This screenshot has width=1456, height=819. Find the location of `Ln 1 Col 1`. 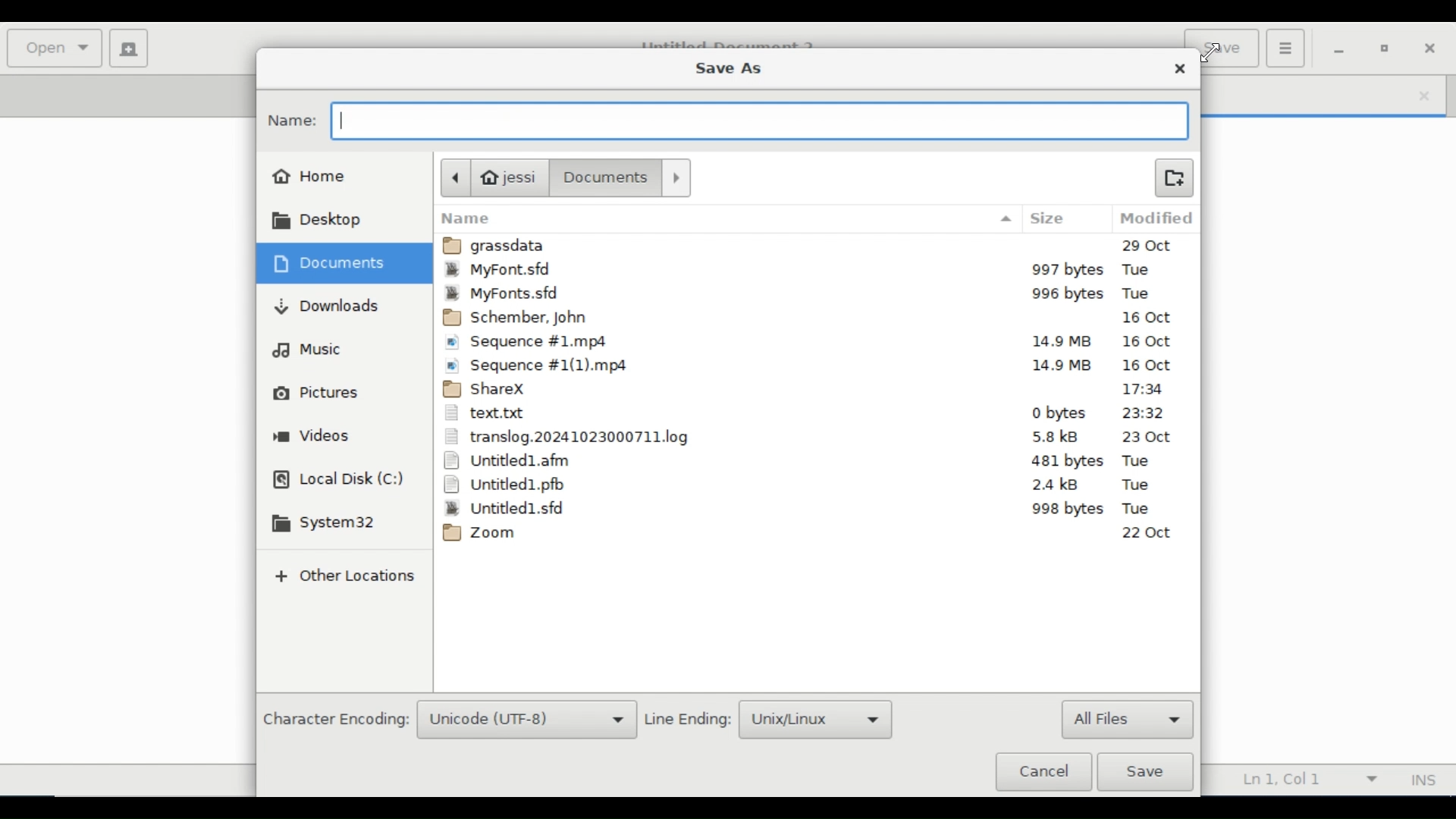

Ln 1 Col 1 is located at coordinates (1304, 779).